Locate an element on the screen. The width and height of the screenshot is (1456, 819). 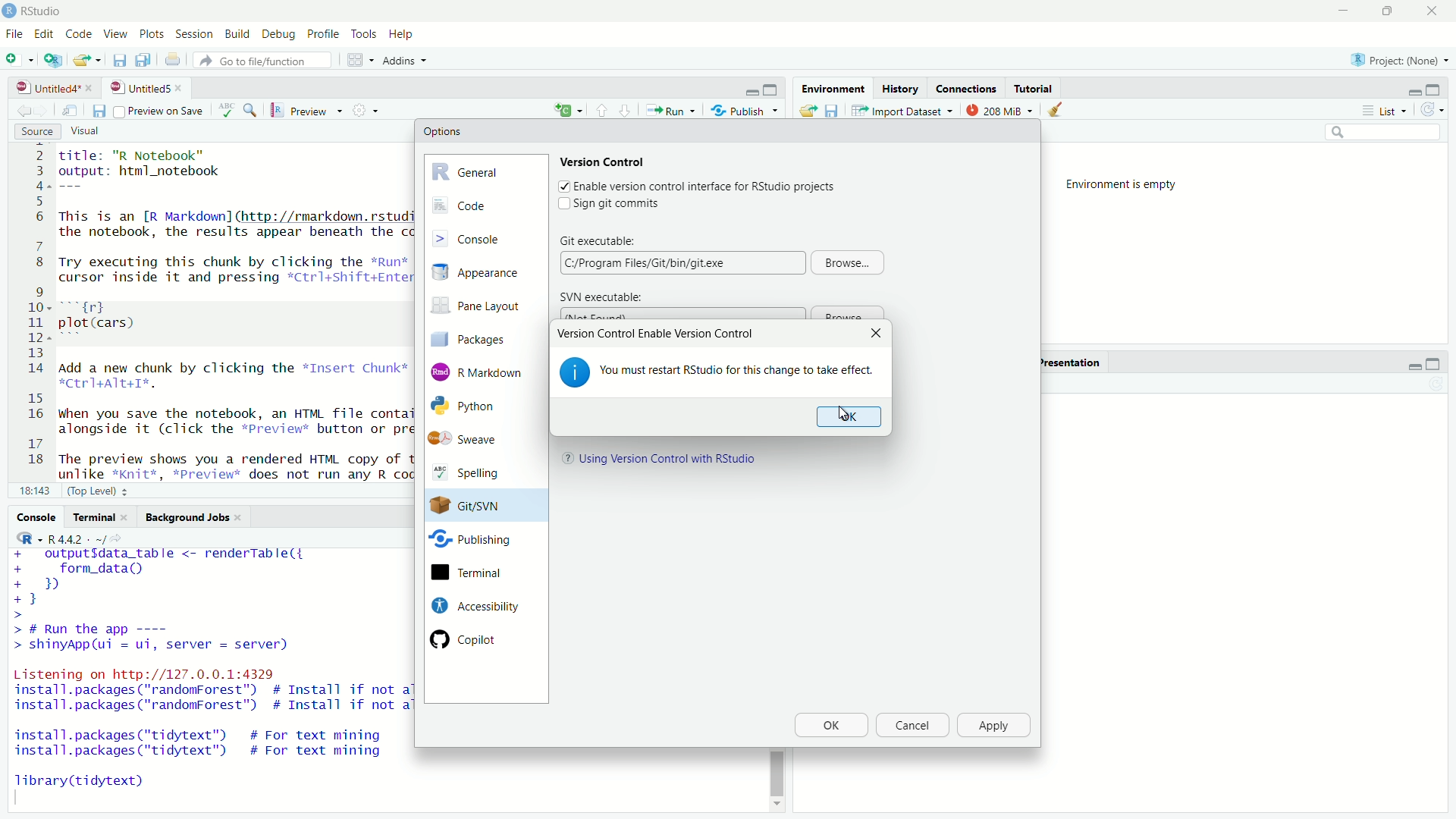
close is located at coordinates (1431, 11).